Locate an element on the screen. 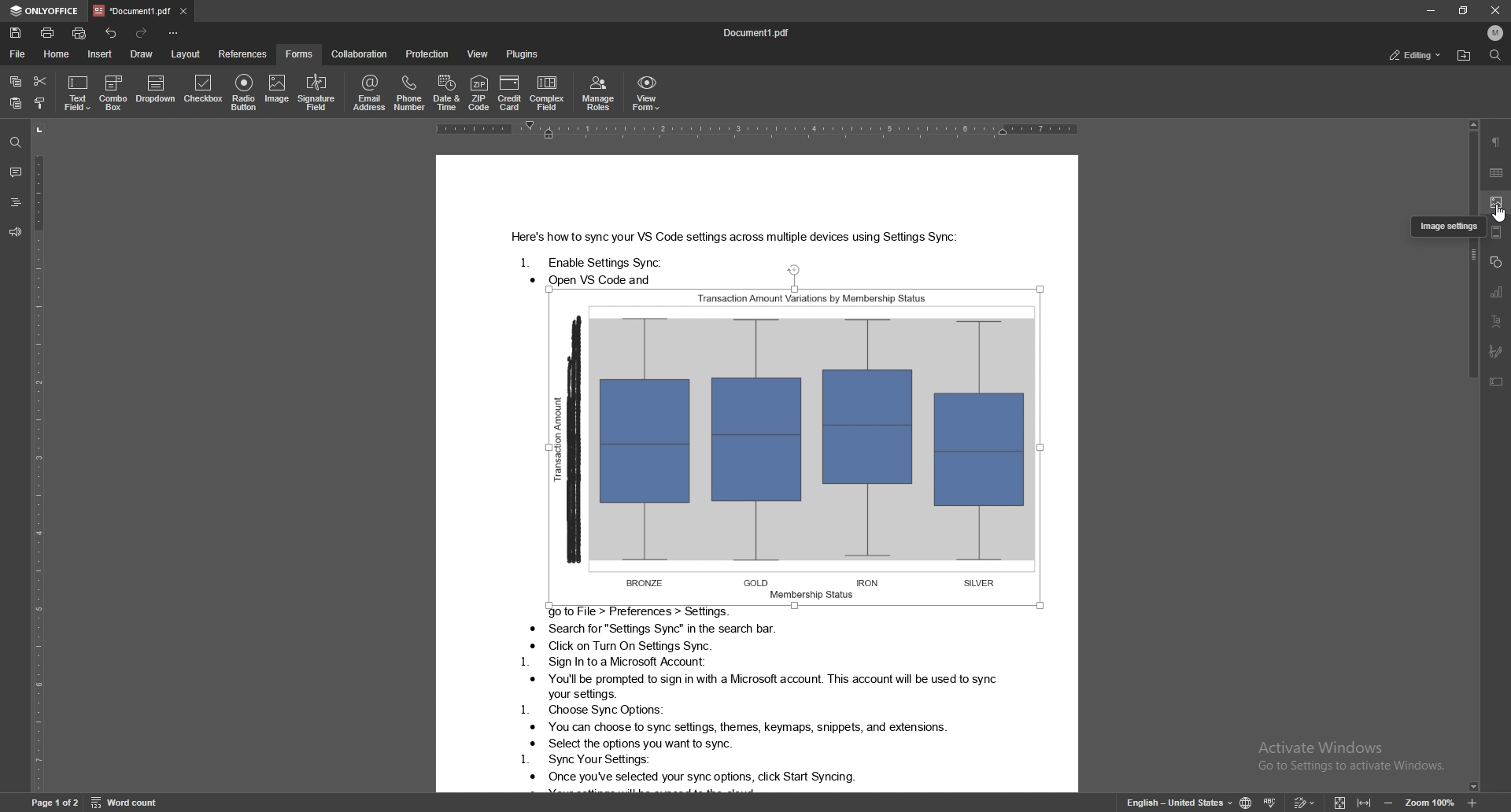 This screenshot has height=812, width=1511. print is located at coordinates (47, 31).